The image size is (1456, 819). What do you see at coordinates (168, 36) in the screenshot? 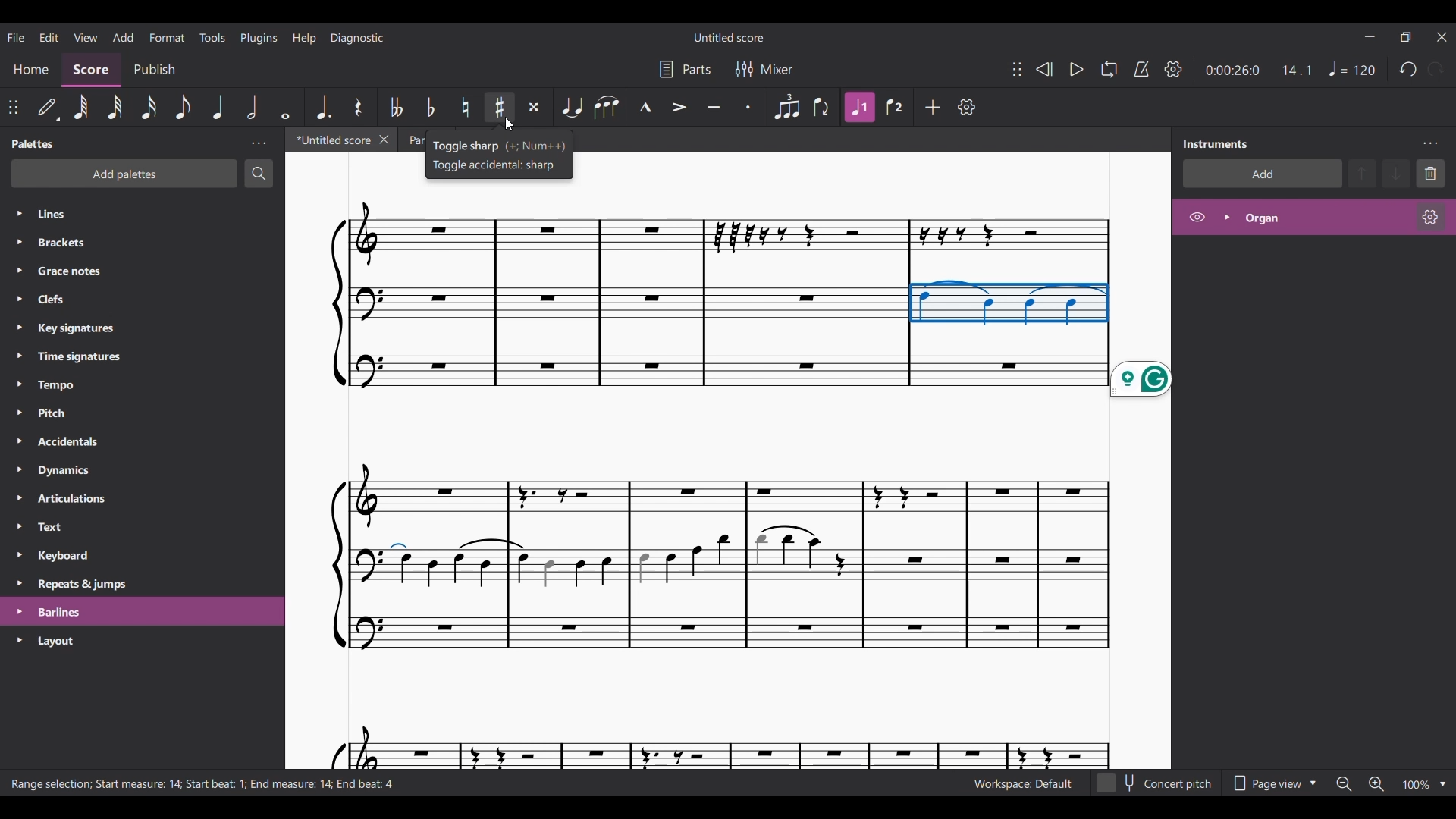
I see `Format menu` at bounding box center [168, 36].